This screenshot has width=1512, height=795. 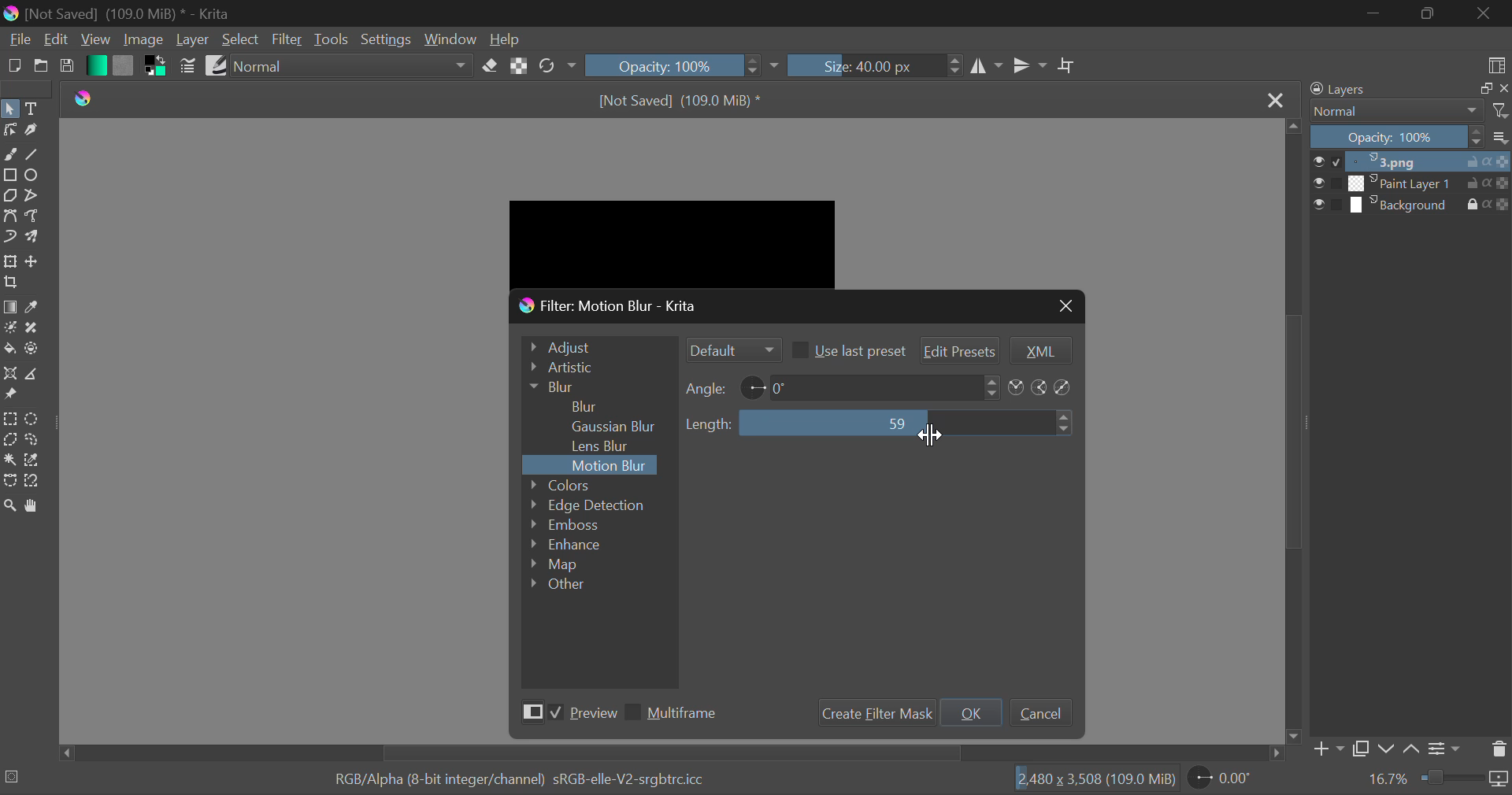 What do you see at coordinates (143, 41) in the screenshot?
I see `Image` at bounding box center [143, 41].